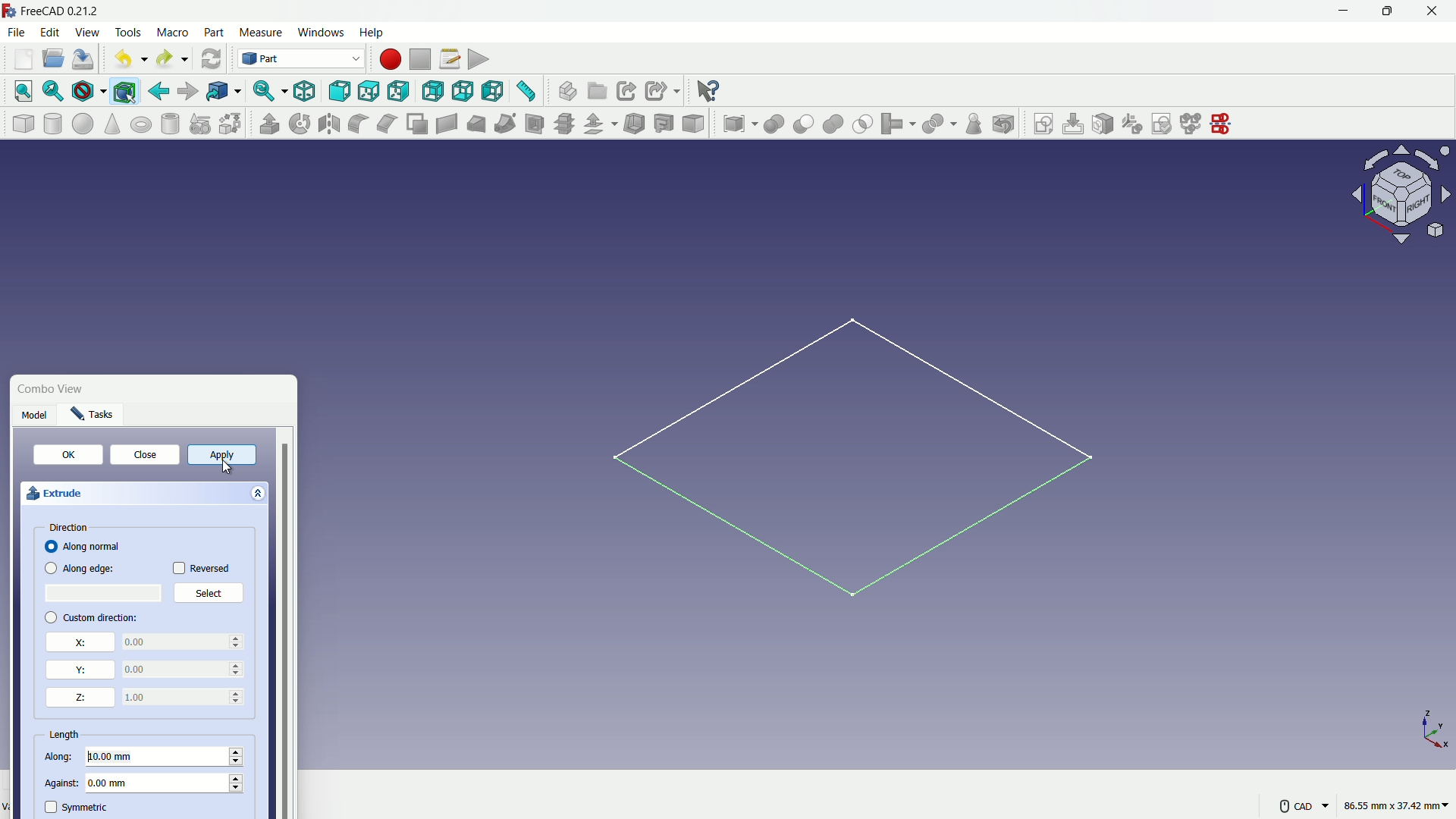 The width and height of the screenshot is (1456, 819). I want to click on checkbox, so click(49, 568).